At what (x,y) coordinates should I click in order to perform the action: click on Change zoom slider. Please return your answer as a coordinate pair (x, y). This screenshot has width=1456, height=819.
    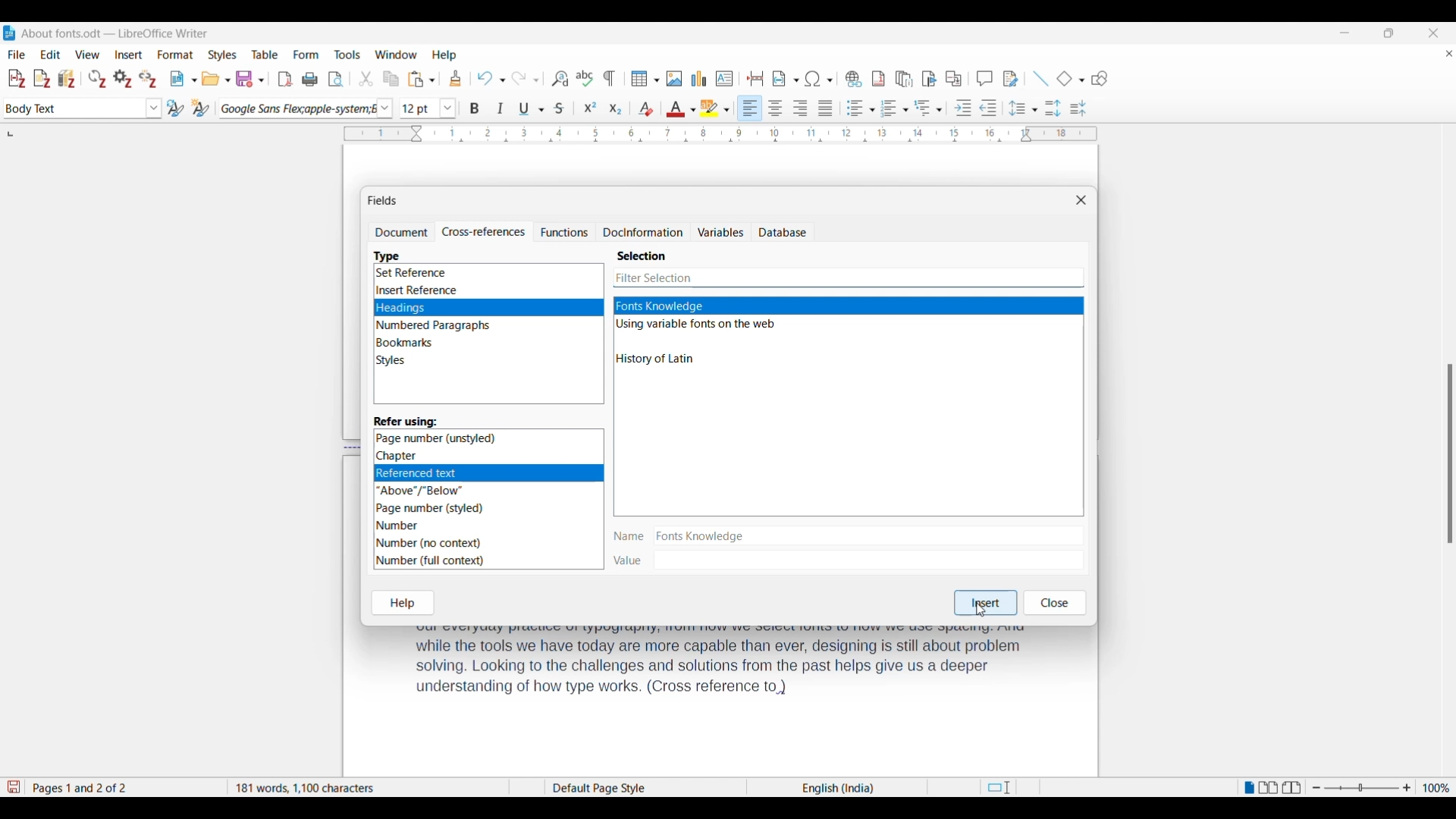
    Looking at the image, I should click on (1361, 789).